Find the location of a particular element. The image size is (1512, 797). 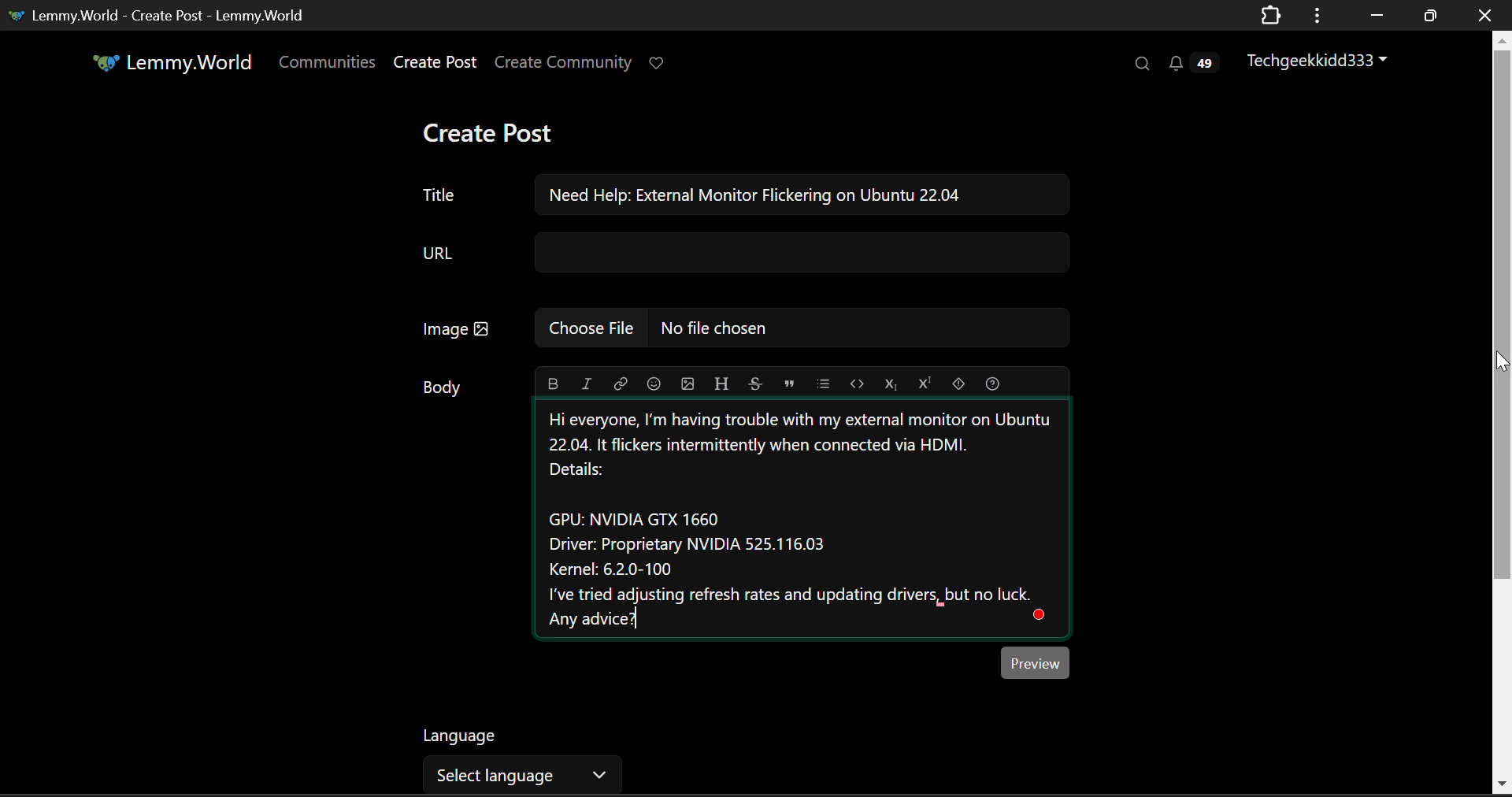

Donate to Lemmy is located at coordinates (658, 65).